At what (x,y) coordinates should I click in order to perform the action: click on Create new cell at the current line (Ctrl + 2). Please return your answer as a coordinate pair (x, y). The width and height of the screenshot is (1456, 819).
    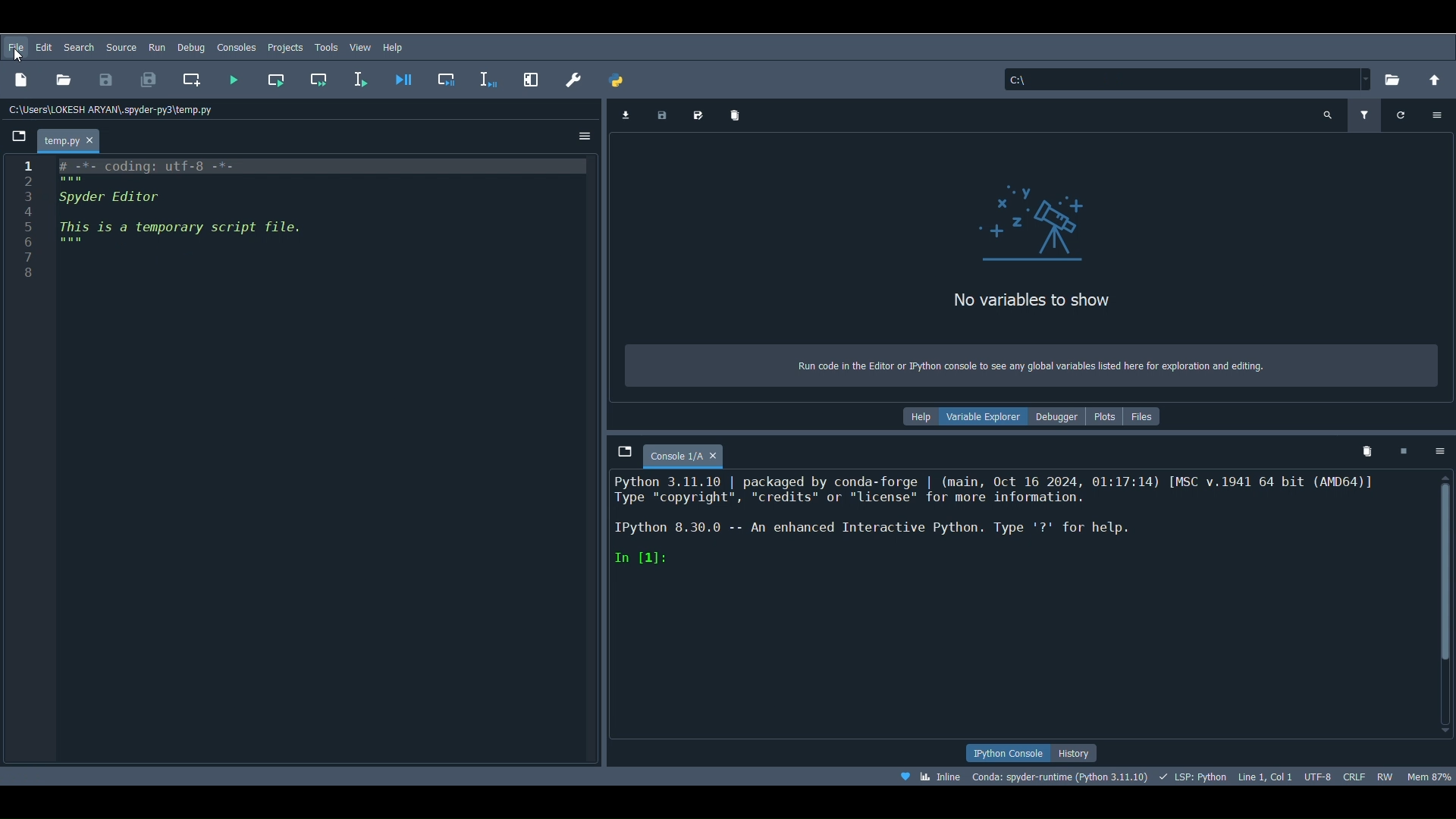
    Looking at the image, I should click on (192, 79).